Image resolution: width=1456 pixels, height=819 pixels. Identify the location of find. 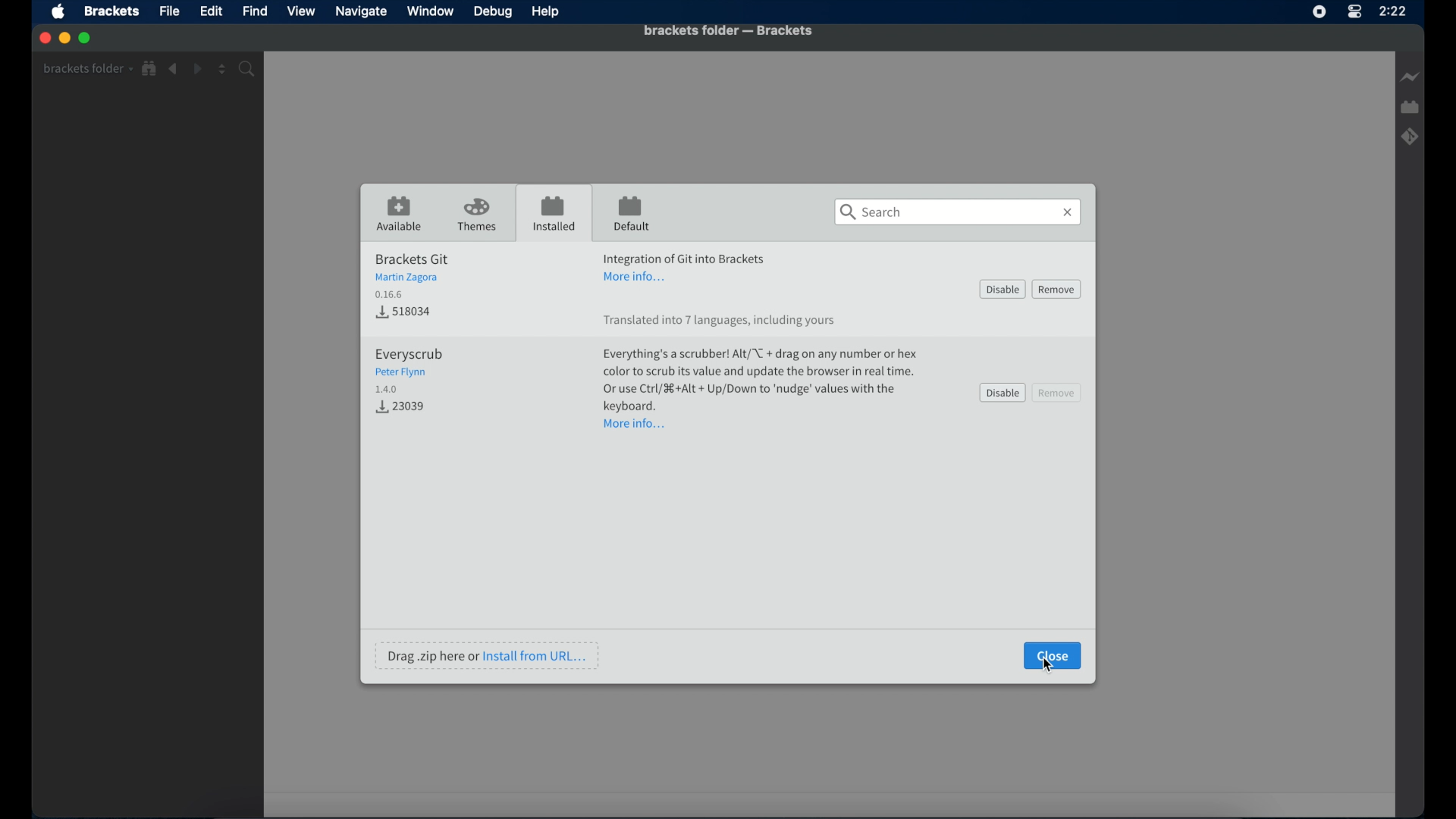
(256, 11).